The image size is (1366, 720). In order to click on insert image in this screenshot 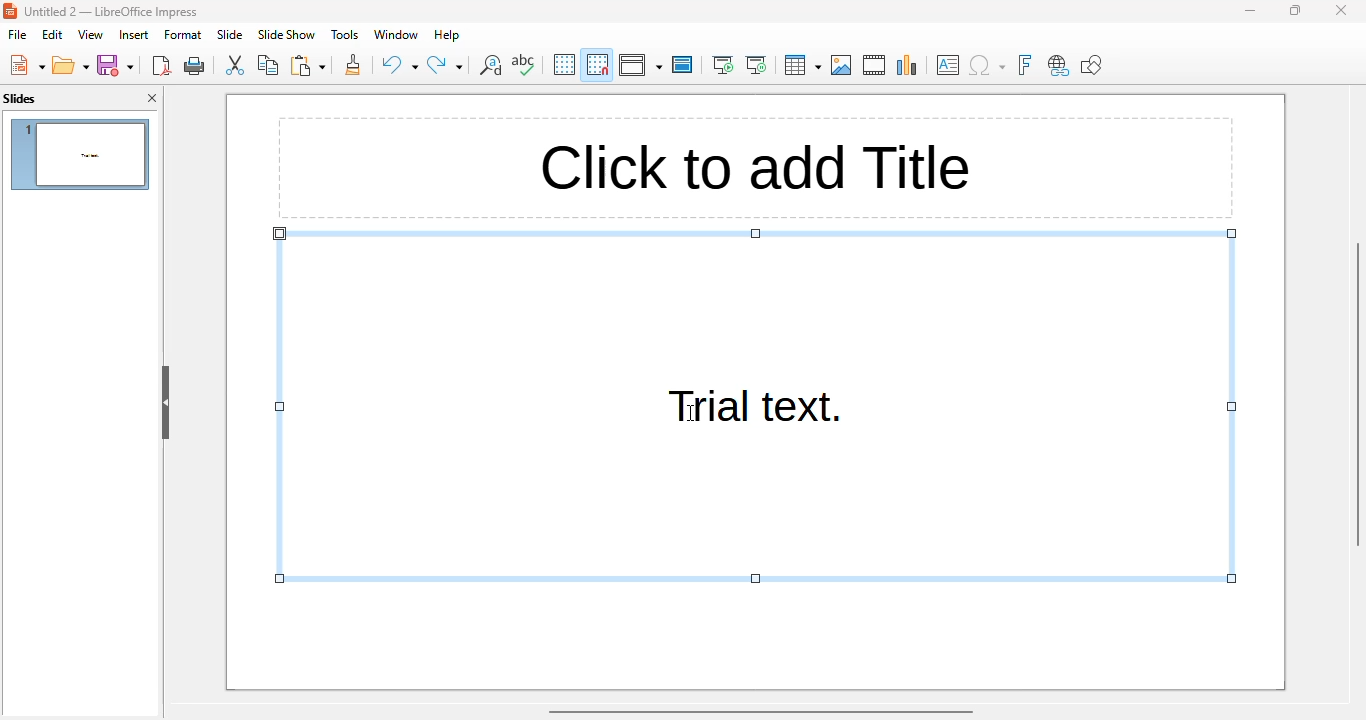, I will do `click(842, 65)`.